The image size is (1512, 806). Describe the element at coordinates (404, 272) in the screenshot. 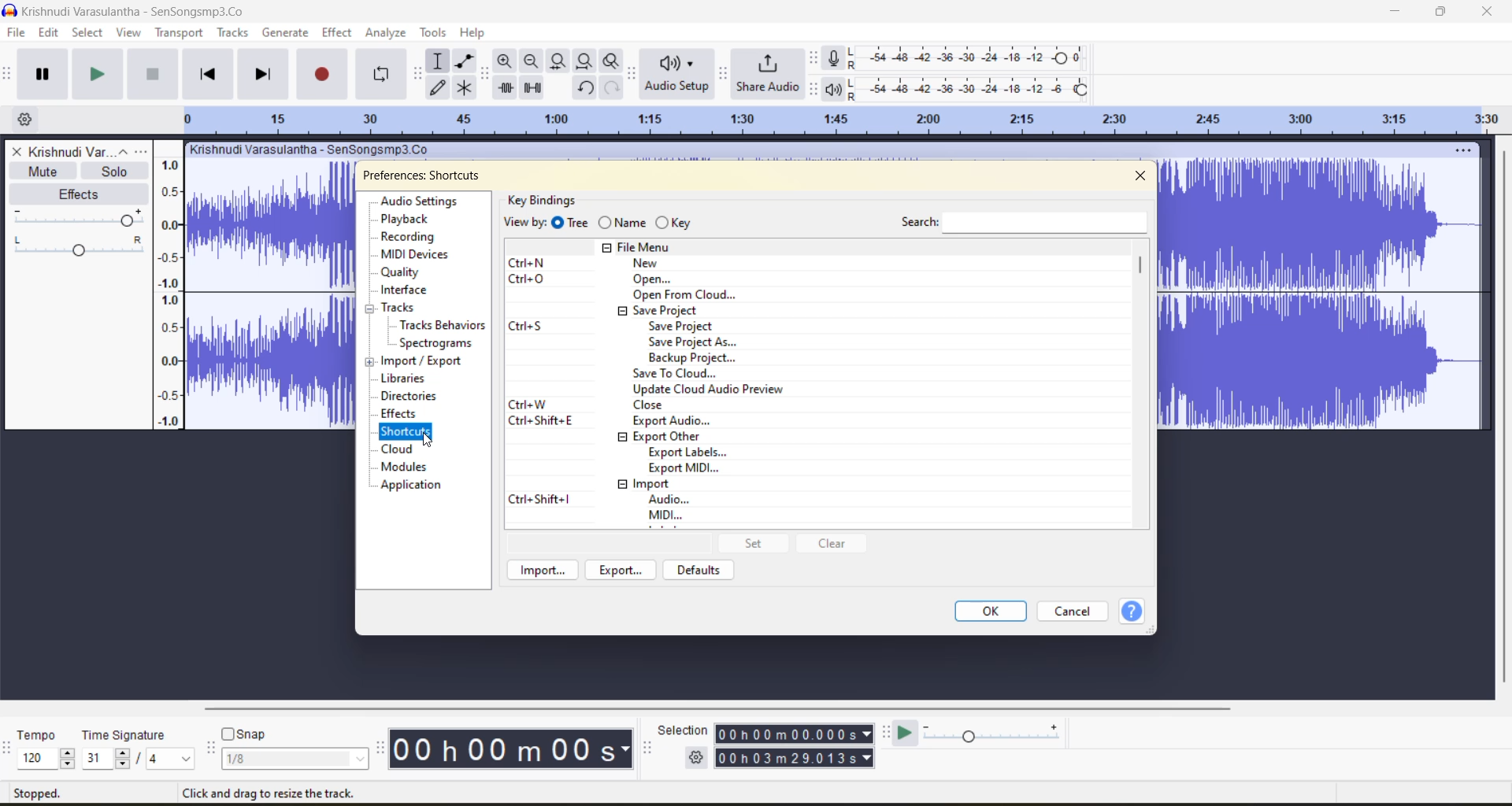

I see `quality` at that location.